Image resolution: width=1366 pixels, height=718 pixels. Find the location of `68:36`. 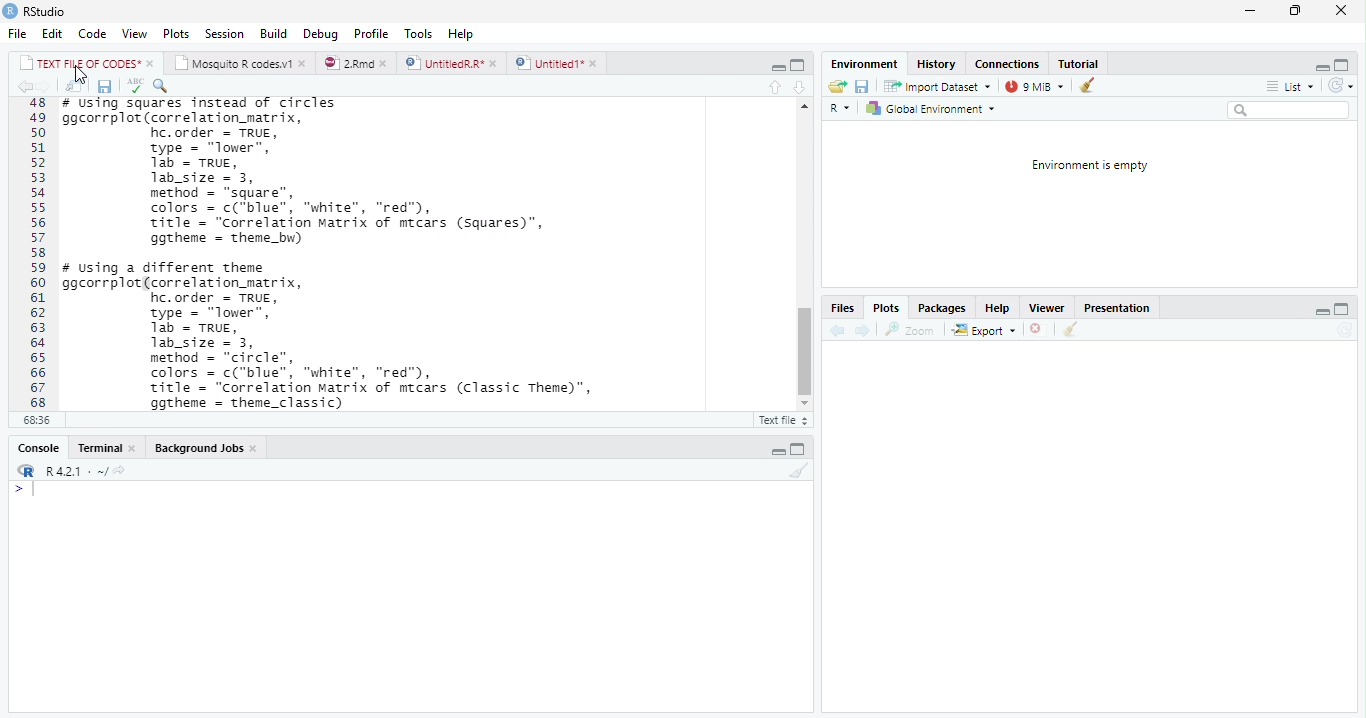

68:36 is located at coordinates (35, 422).